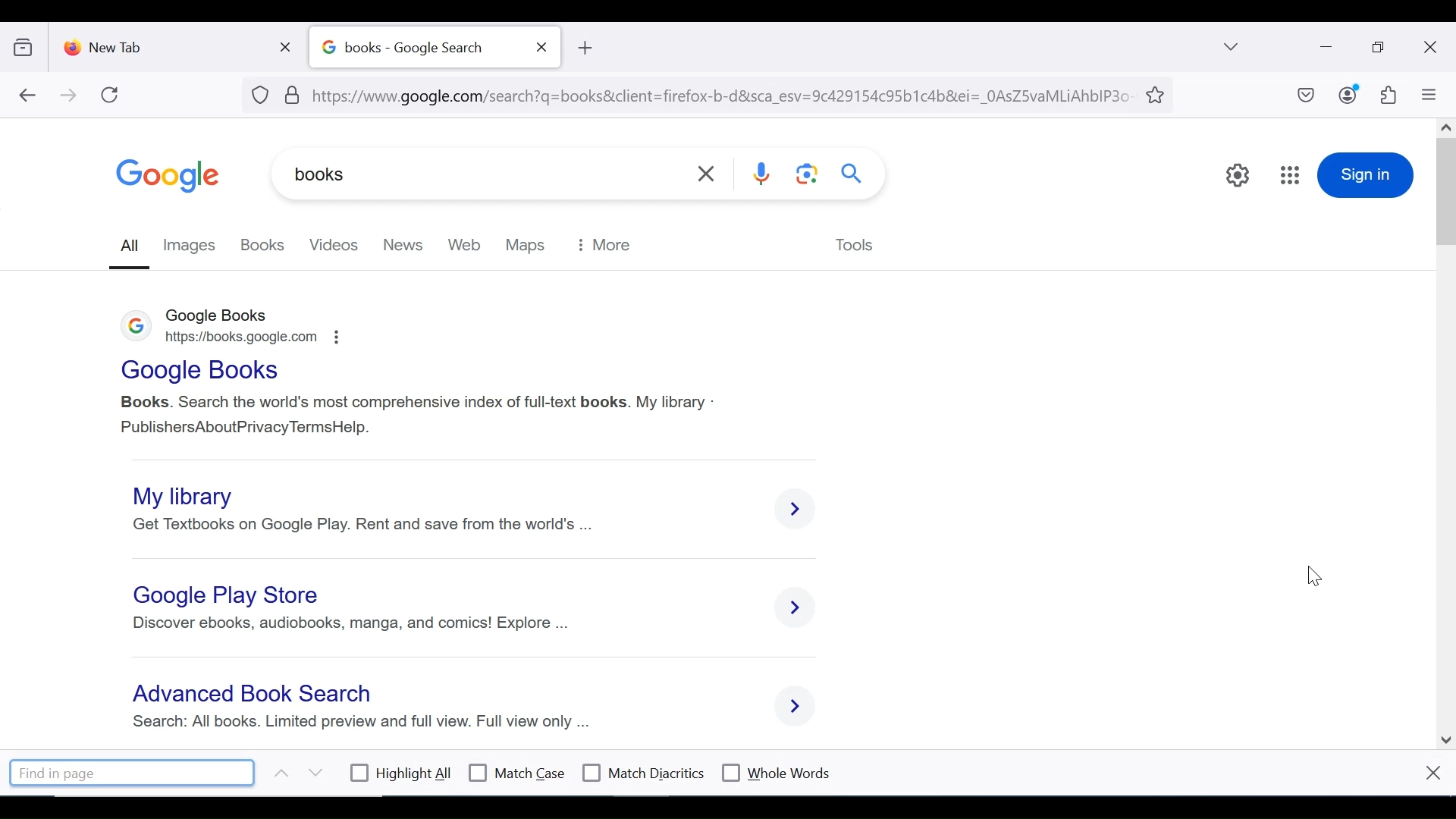  Describe the element at coordinates (332, 244) in the screenshot. I see `videos` at that location.